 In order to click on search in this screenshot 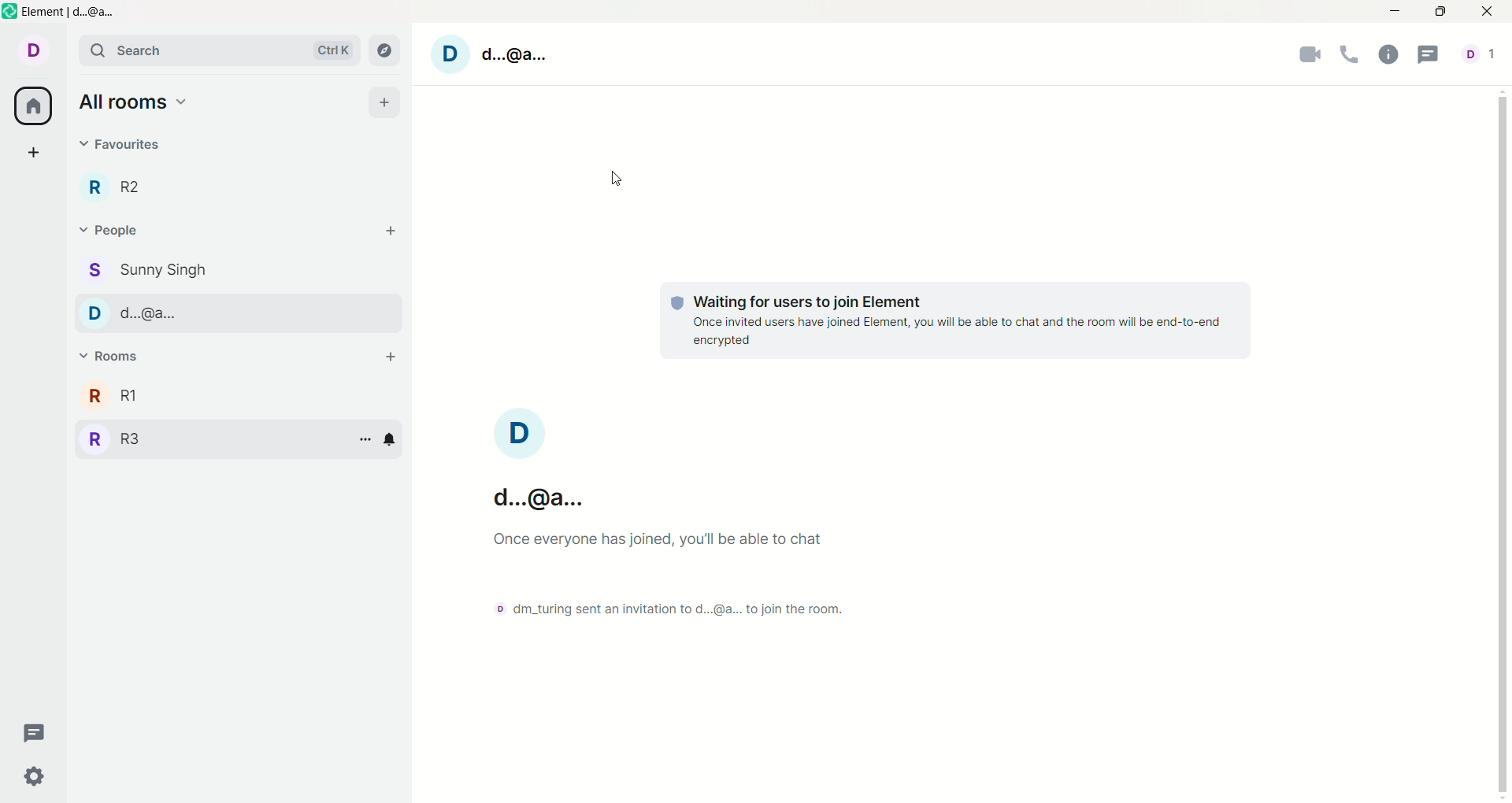, I will do `click(219, 49)`.